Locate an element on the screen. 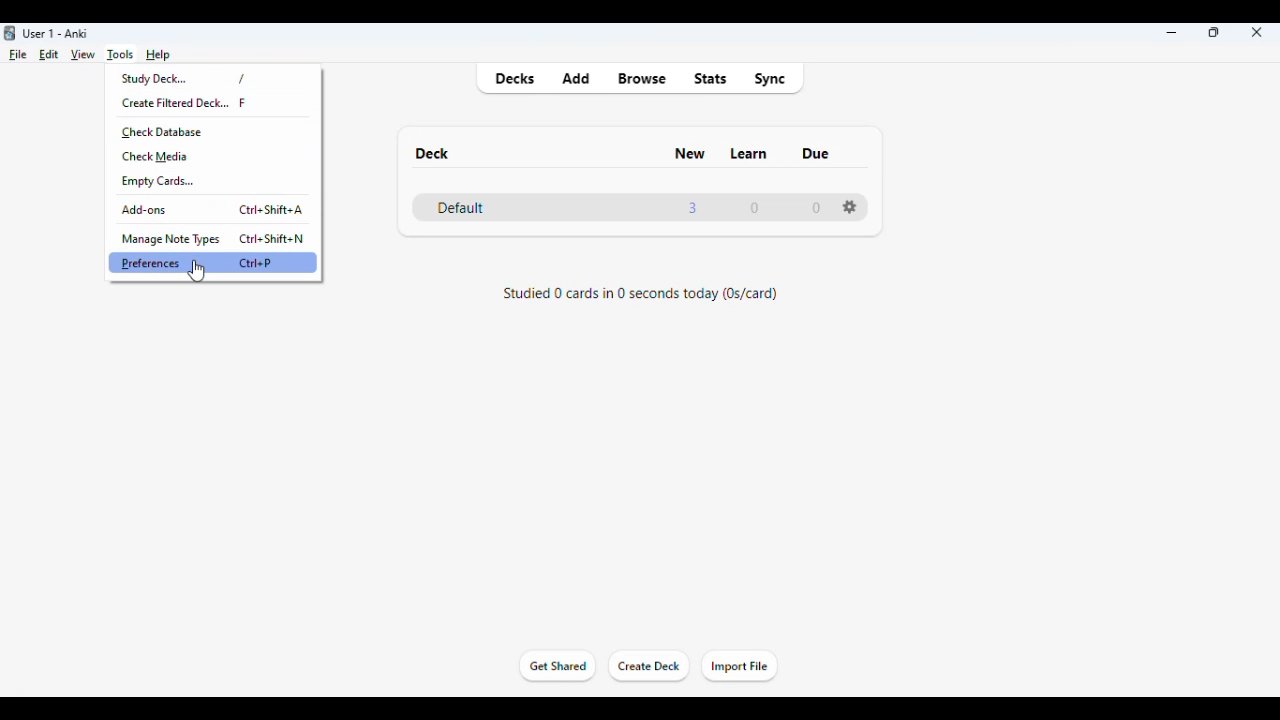  0 is located at coordinates (754, 208).